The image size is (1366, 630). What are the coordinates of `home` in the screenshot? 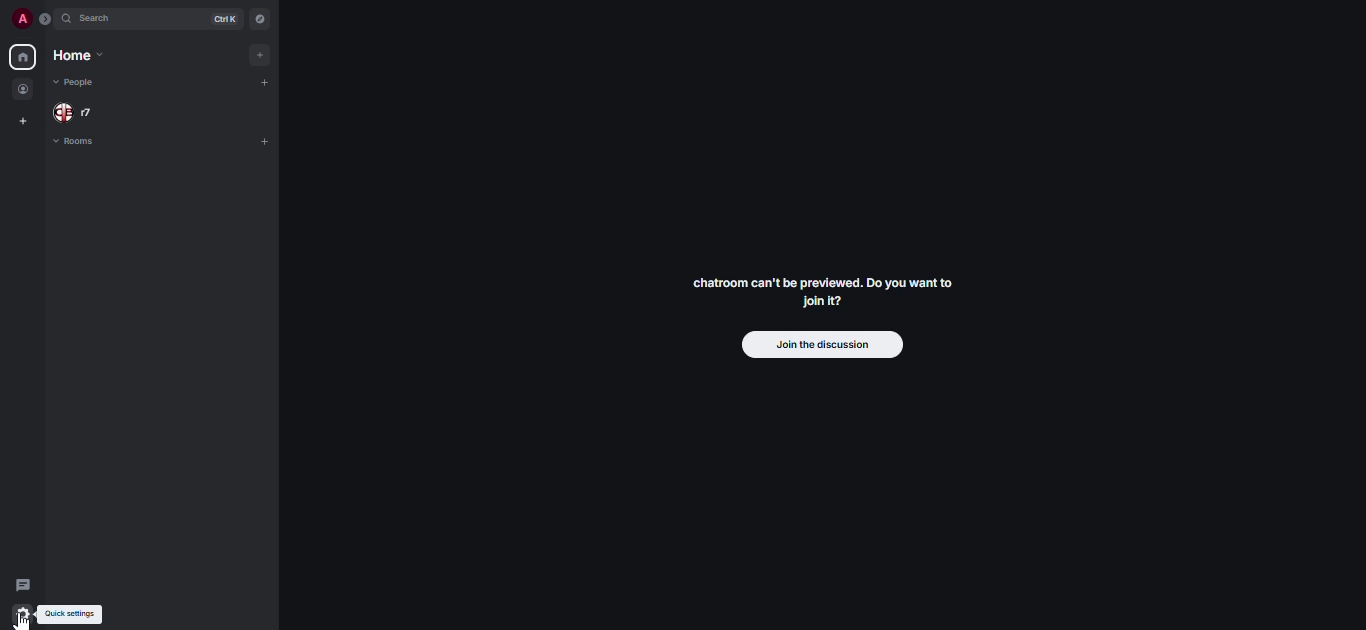 It's located at (75, 57).